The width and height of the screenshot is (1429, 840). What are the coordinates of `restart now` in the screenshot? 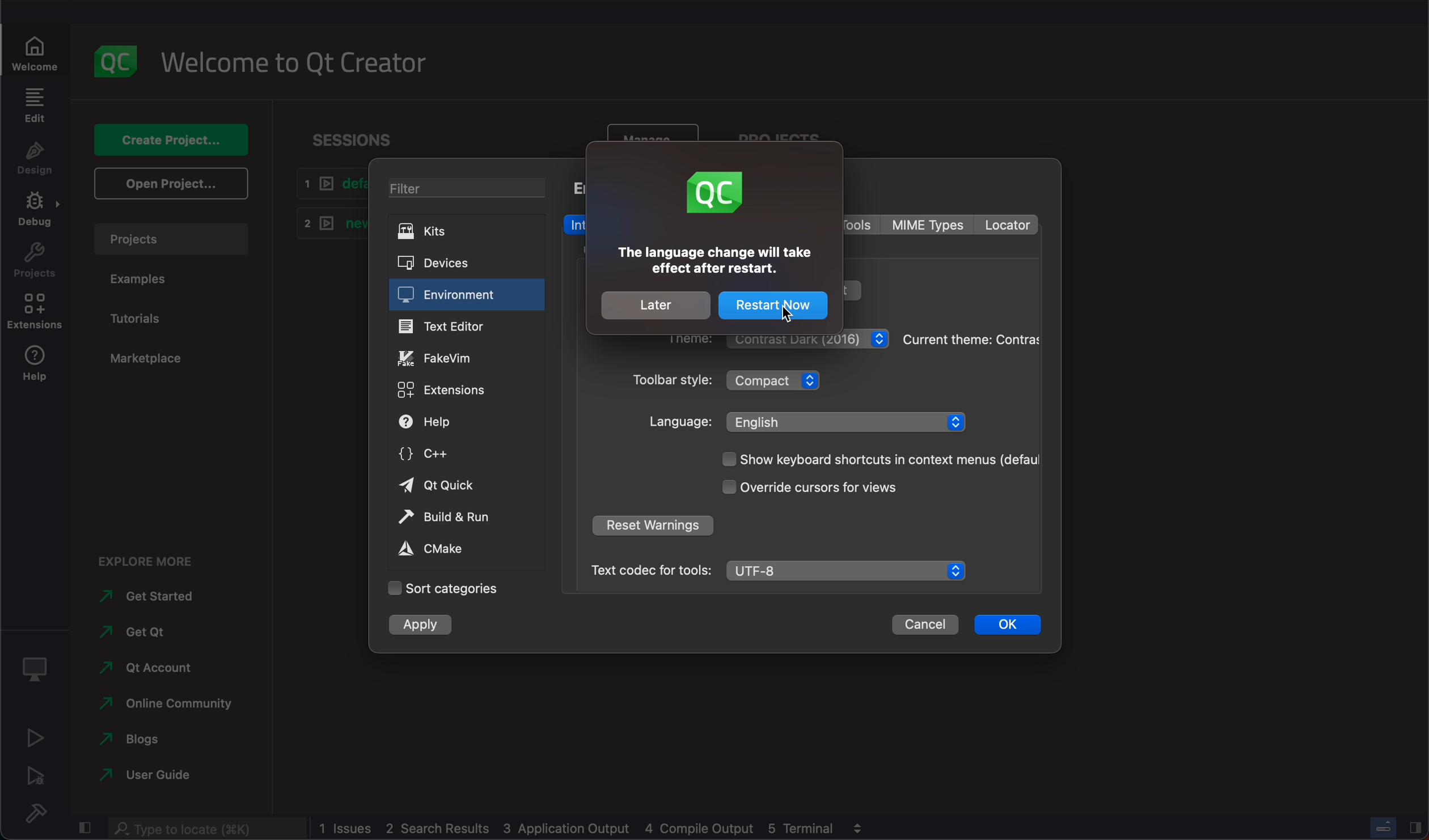 It's located at (773, 307).